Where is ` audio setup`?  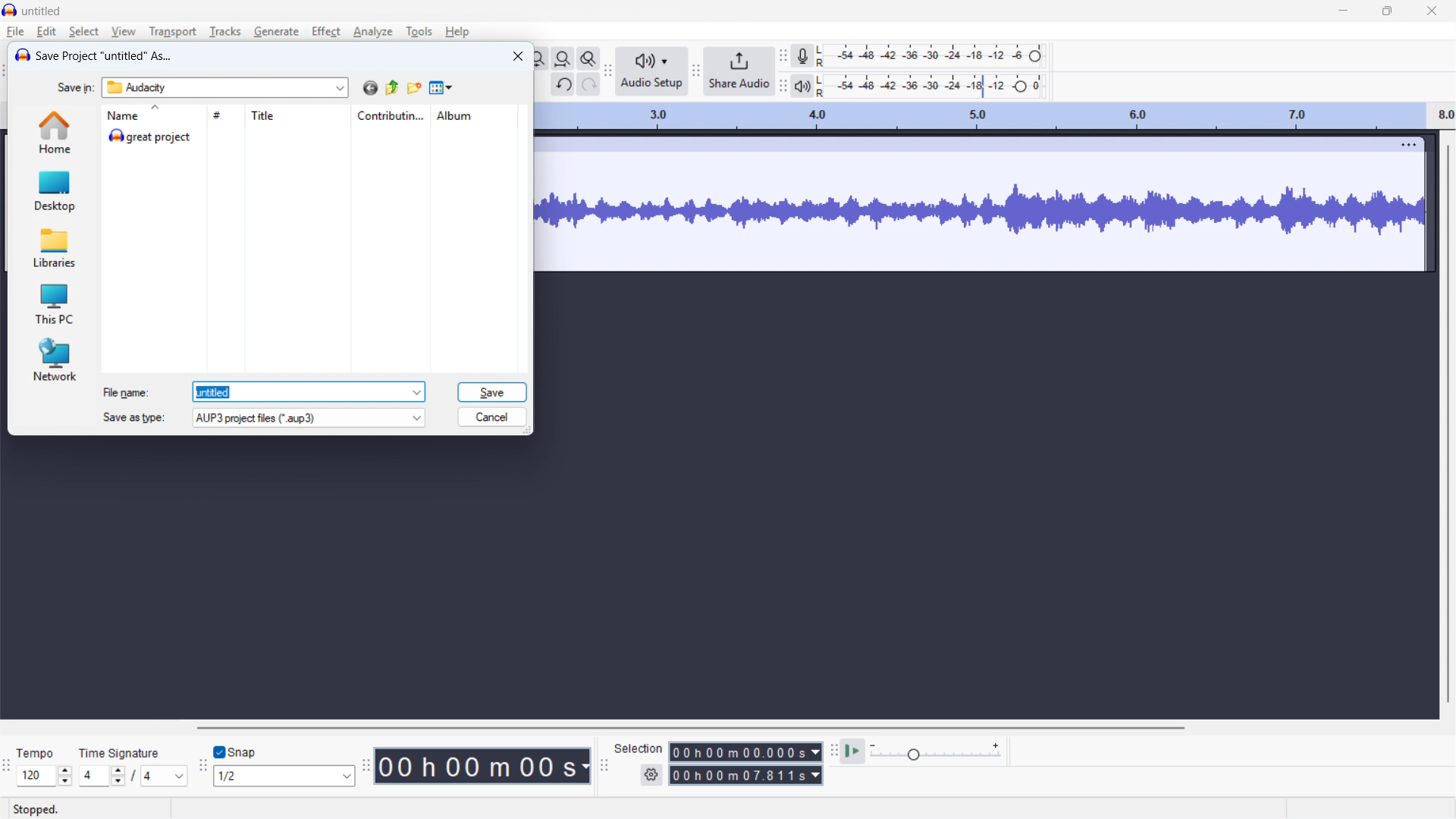  audio setup is located at coordinates (651, 71).